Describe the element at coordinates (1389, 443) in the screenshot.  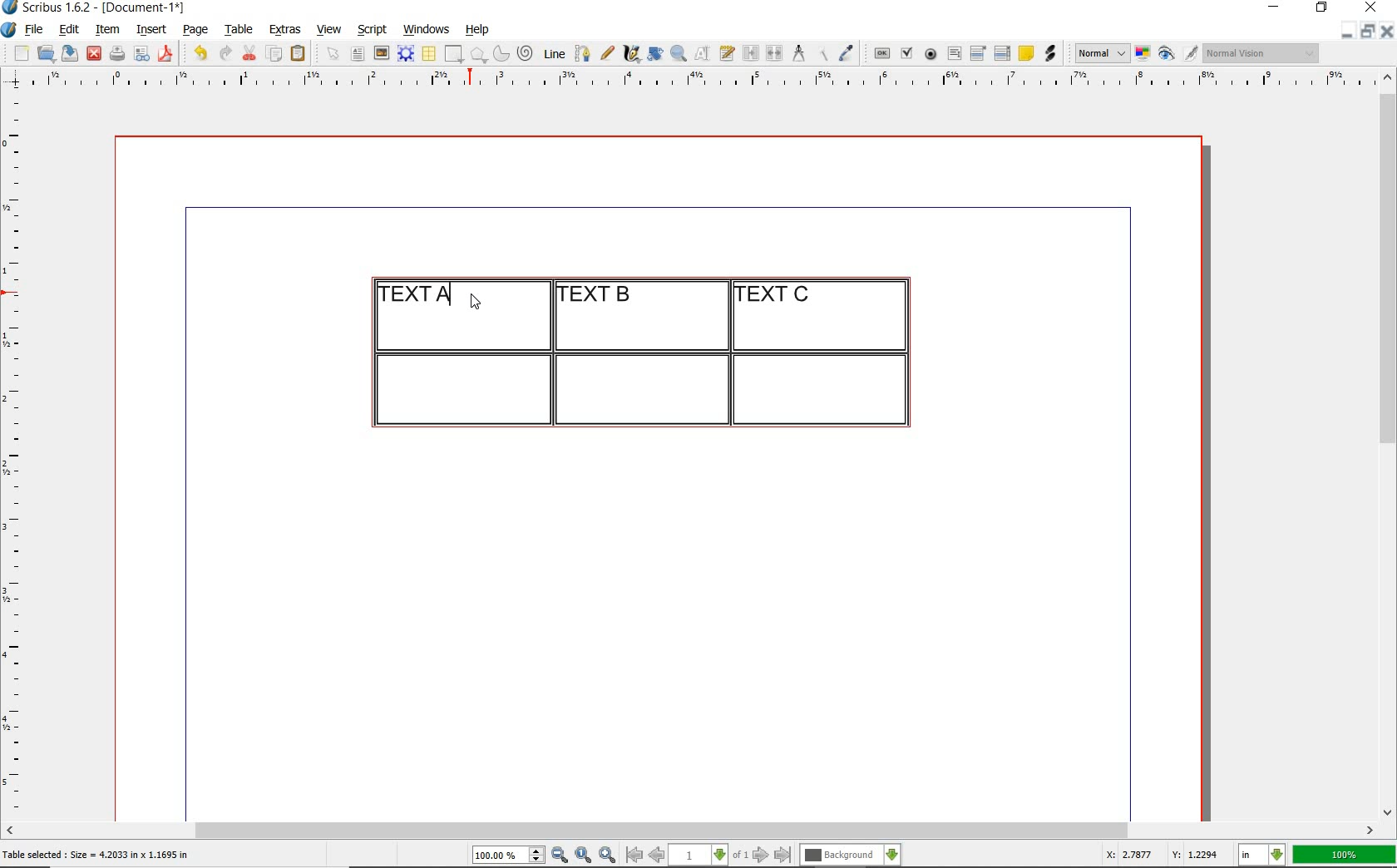
I see `scrollbar` at that location.